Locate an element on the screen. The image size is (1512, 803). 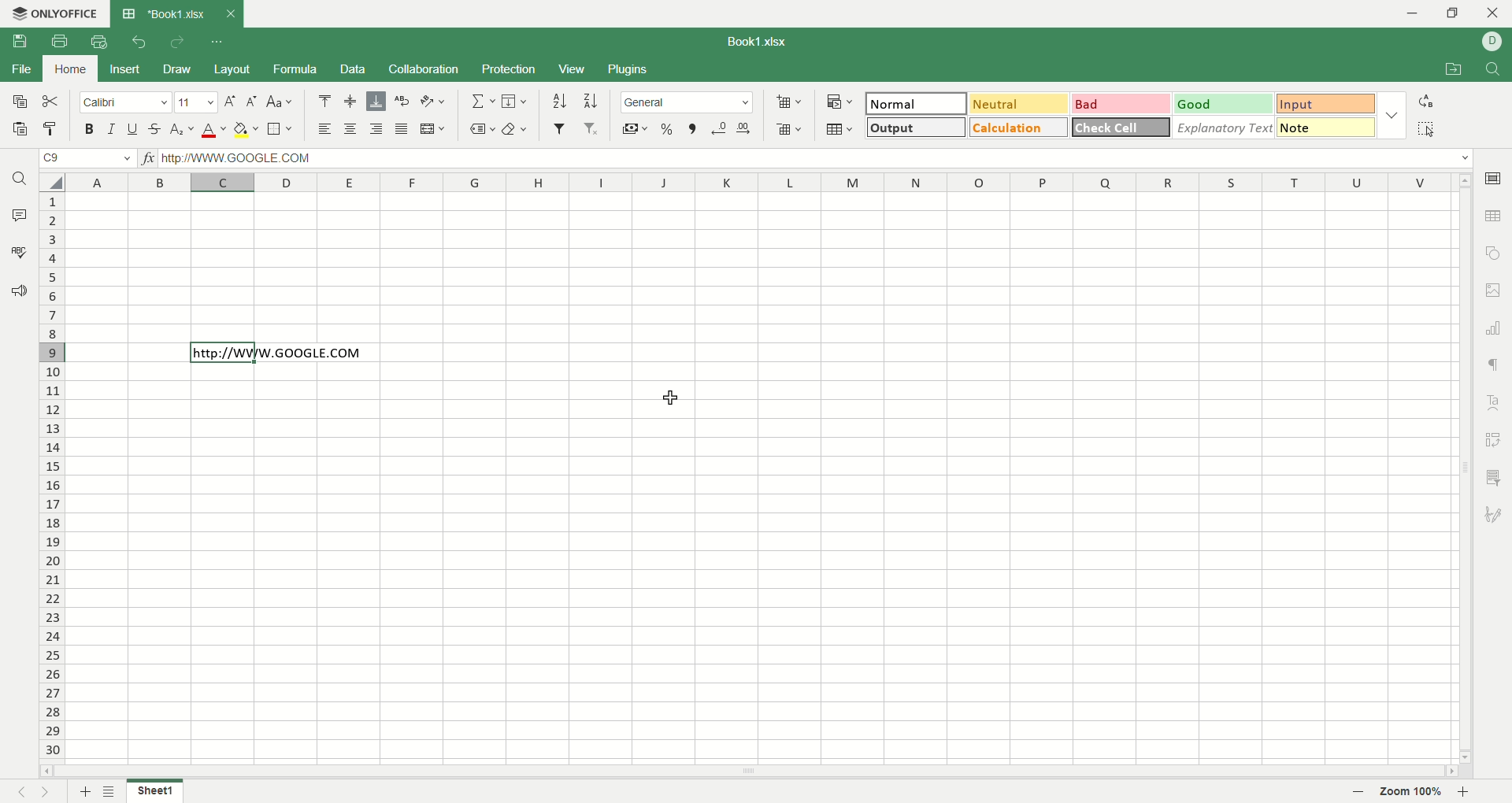
save is located at coordinates (18, 42).